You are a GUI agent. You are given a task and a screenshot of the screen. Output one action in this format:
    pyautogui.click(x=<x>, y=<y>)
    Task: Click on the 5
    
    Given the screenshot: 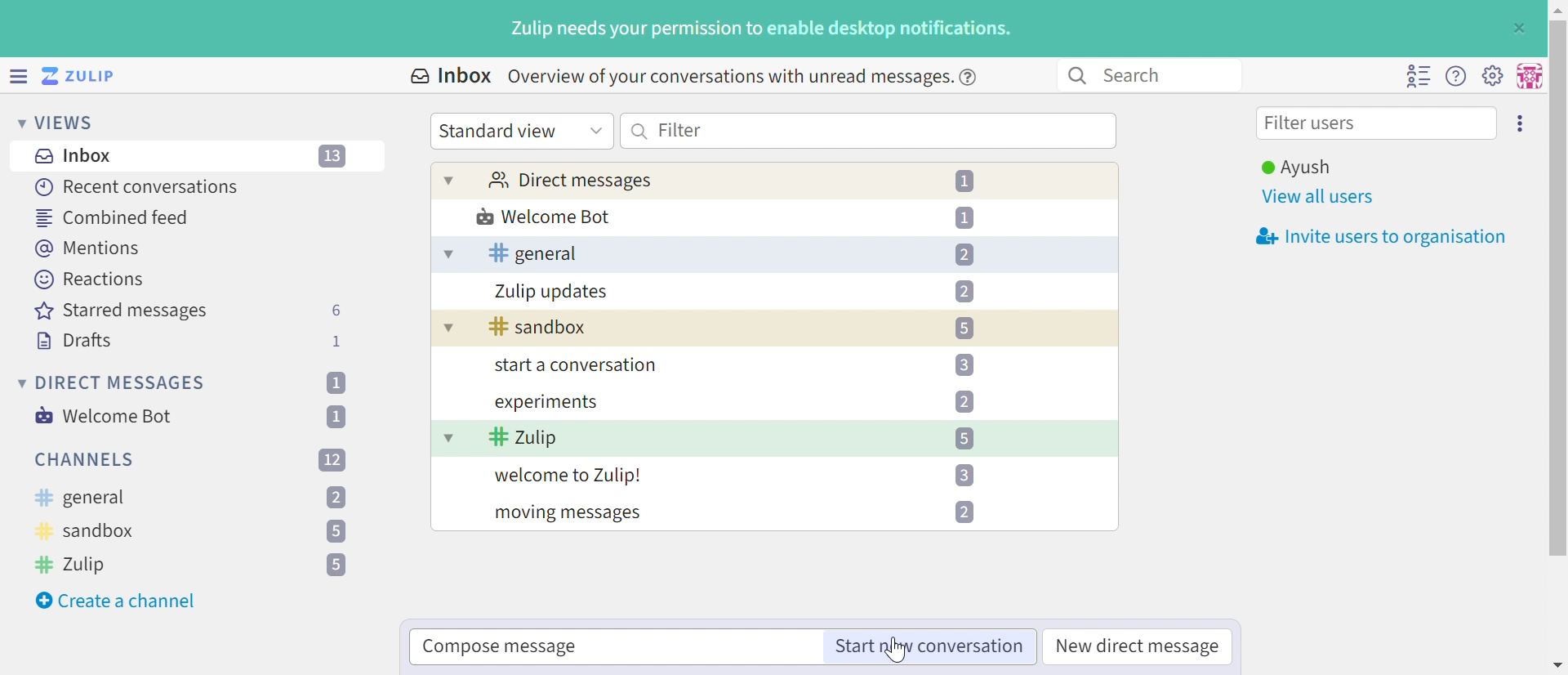 What is the action you would take?
    pyautogui.click(x=336, y=565)
    